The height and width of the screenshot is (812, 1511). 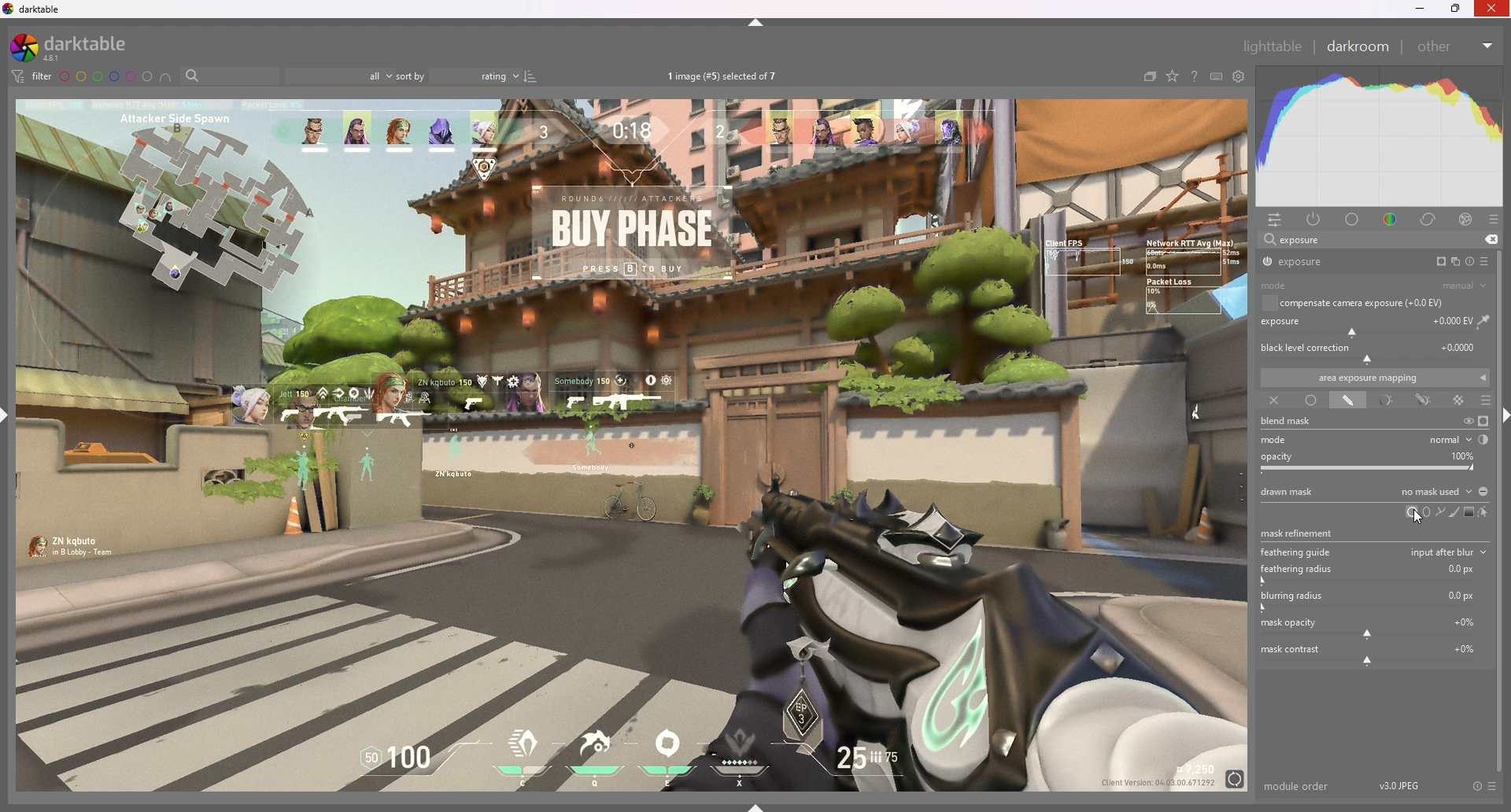 What do you see at coordinates (459, 76) in the screenshot?
I see `sort by` at bounding box center [459, 76].